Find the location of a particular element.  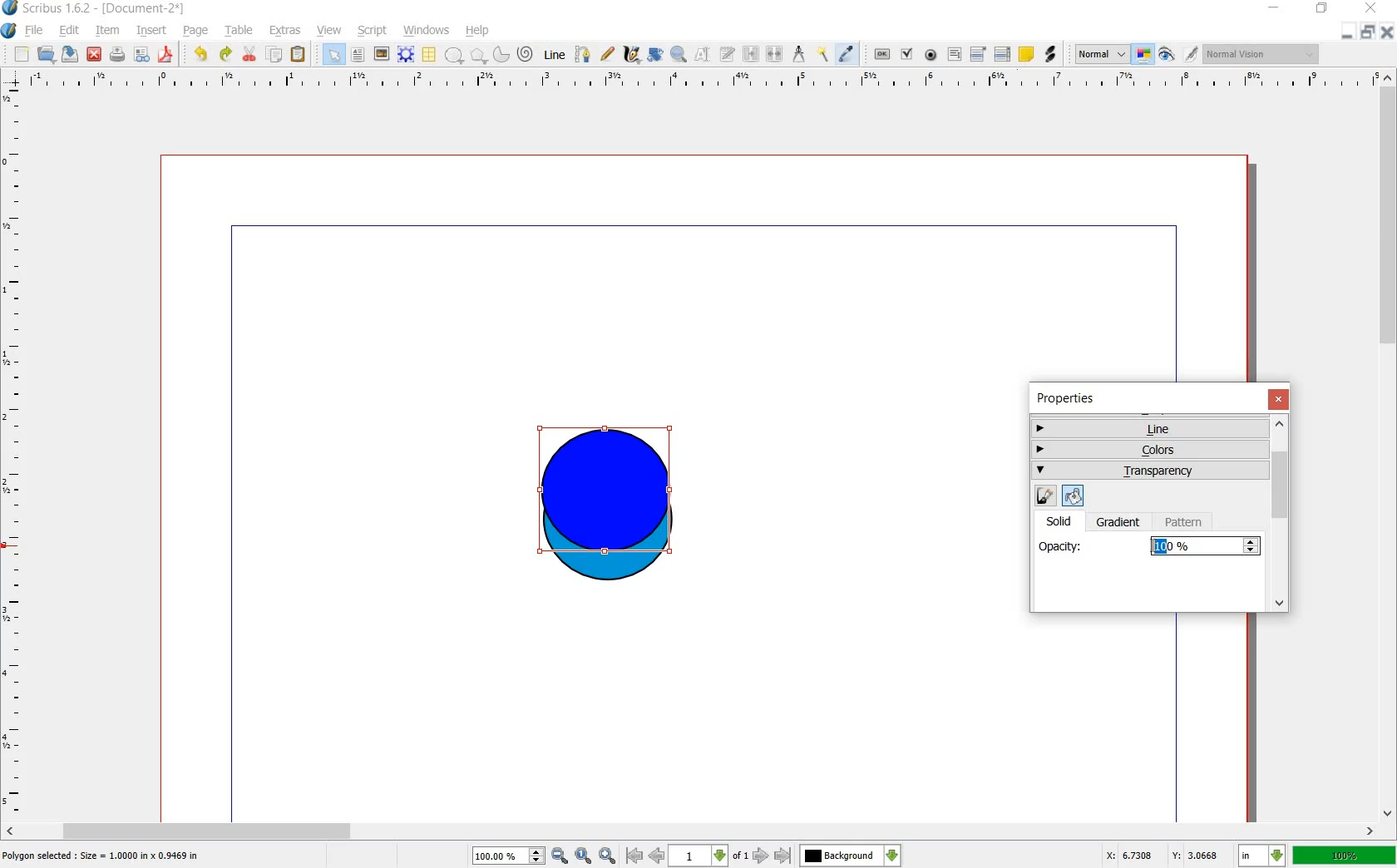

pattern is located at coordinates (1187, 522).